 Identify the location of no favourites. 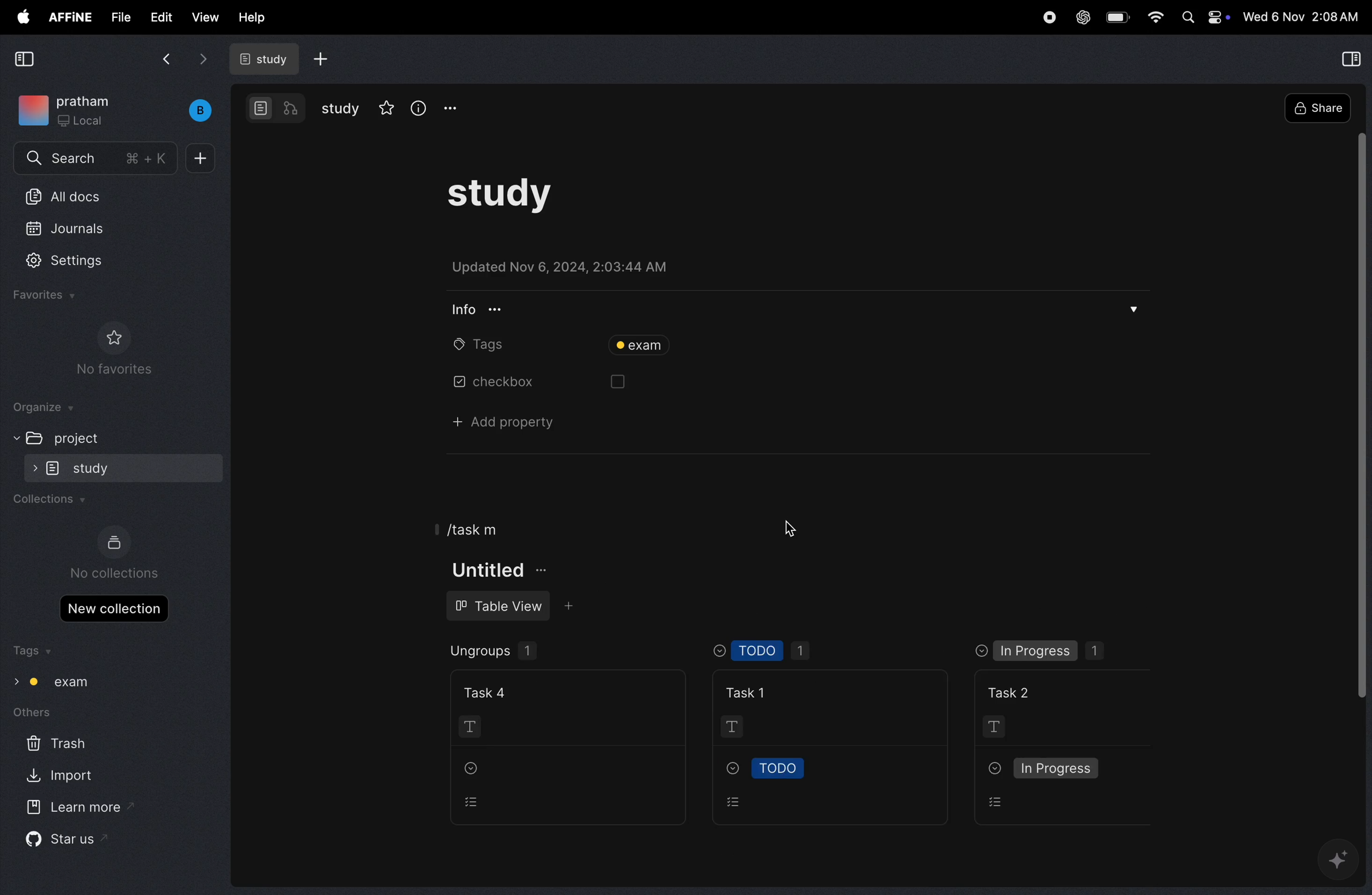
(116, 348).